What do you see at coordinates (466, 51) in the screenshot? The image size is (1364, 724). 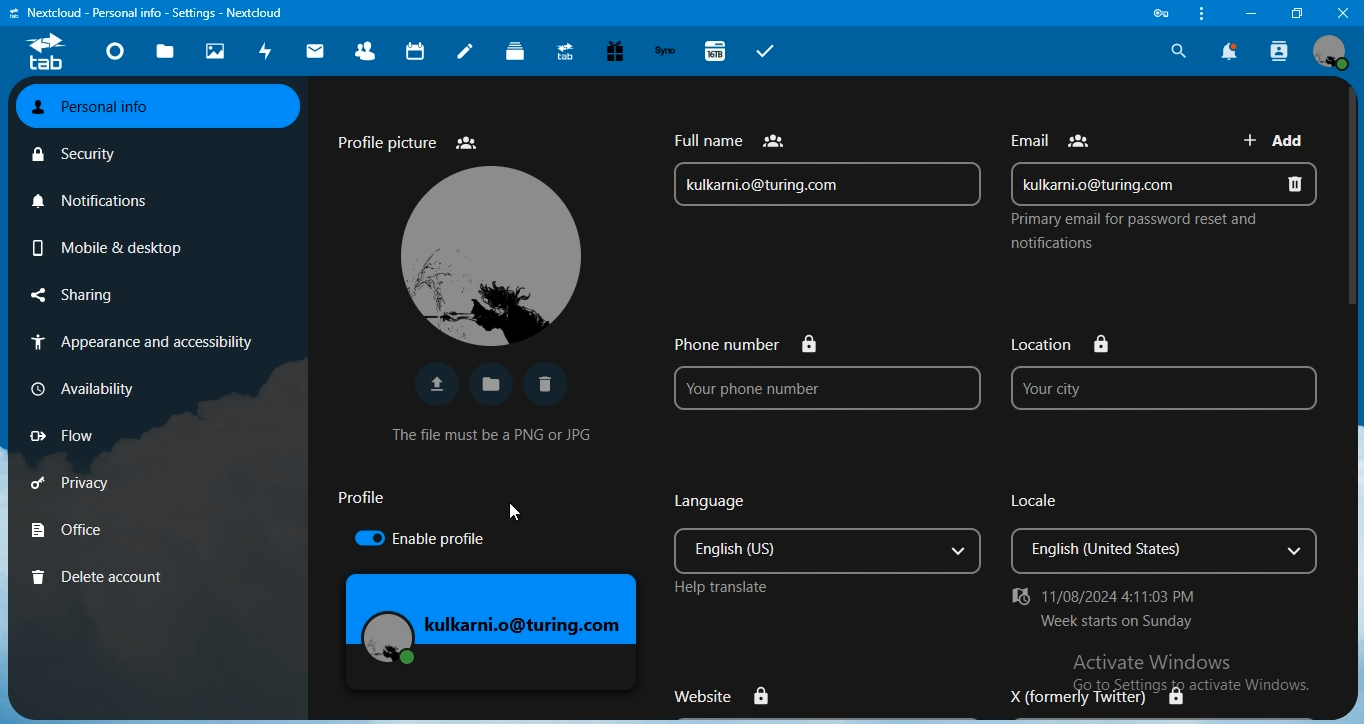 I see `notes` at bounding box center [466, 51].